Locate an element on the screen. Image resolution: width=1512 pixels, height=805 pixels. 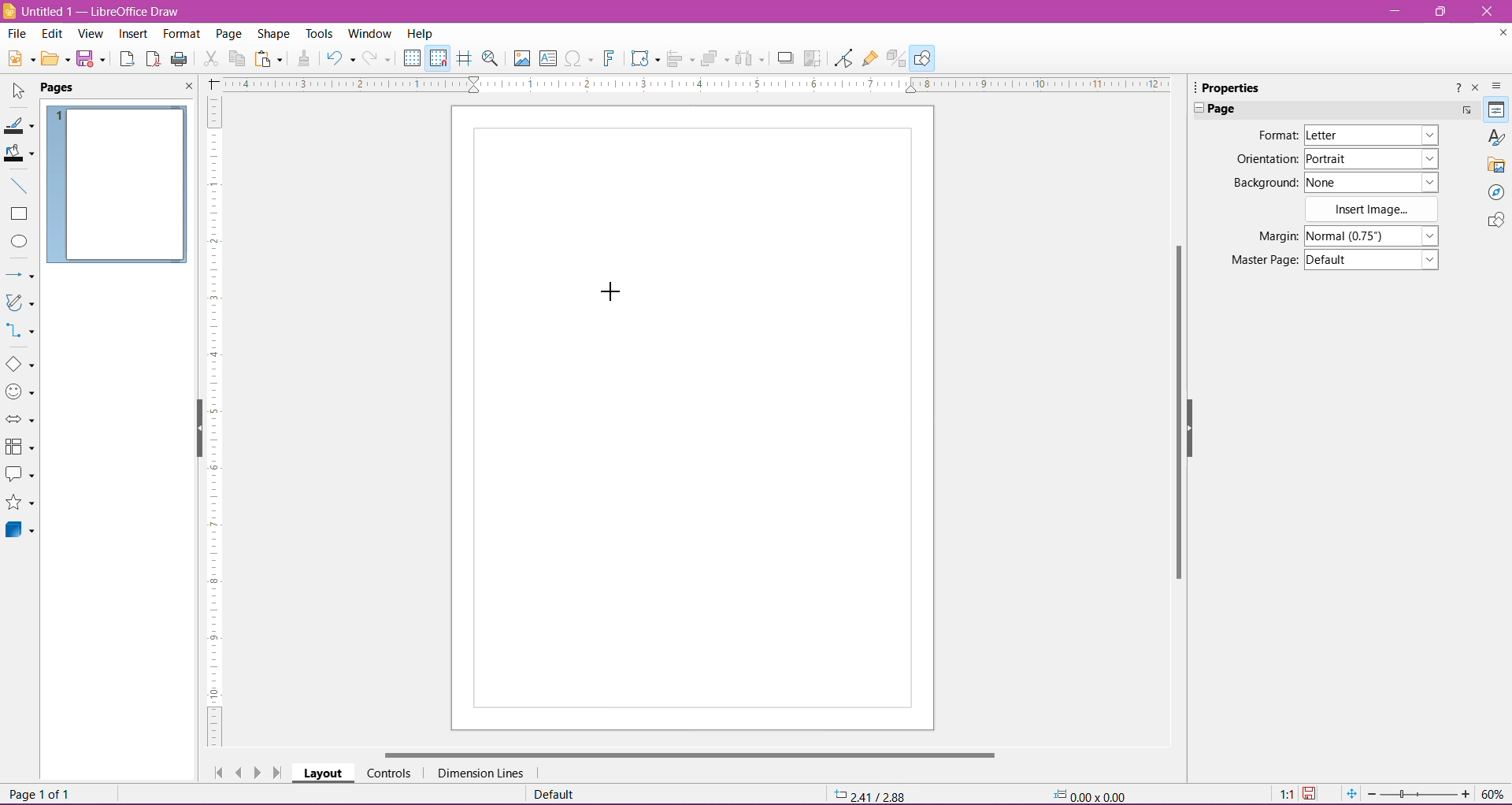
Help about this sidebar deck is located at coordinates (1456, 91).